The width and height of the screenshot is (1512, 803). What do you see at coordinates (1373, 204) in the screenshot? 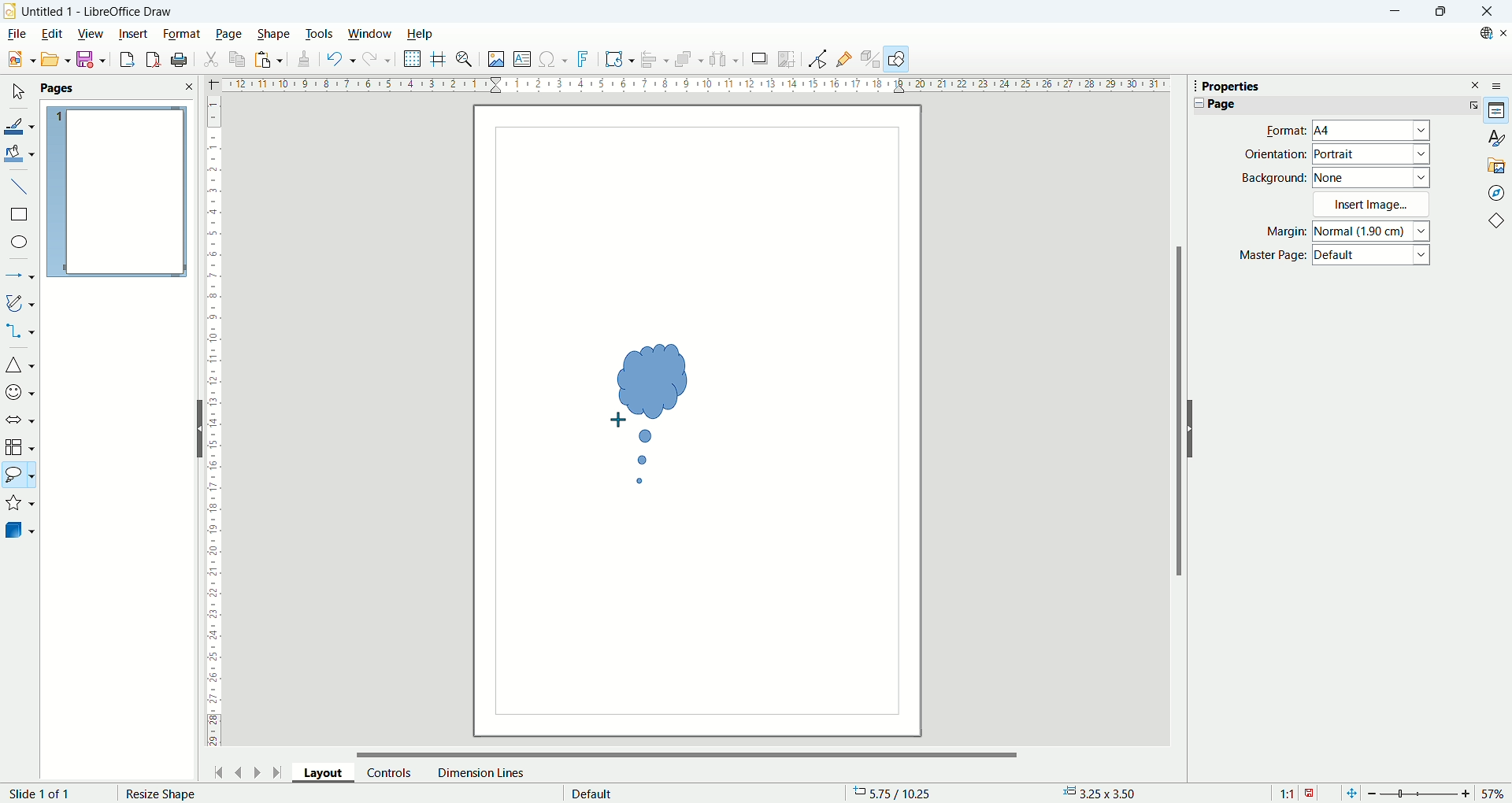
I see `Insert Image` at bounding box center [1373, 204].